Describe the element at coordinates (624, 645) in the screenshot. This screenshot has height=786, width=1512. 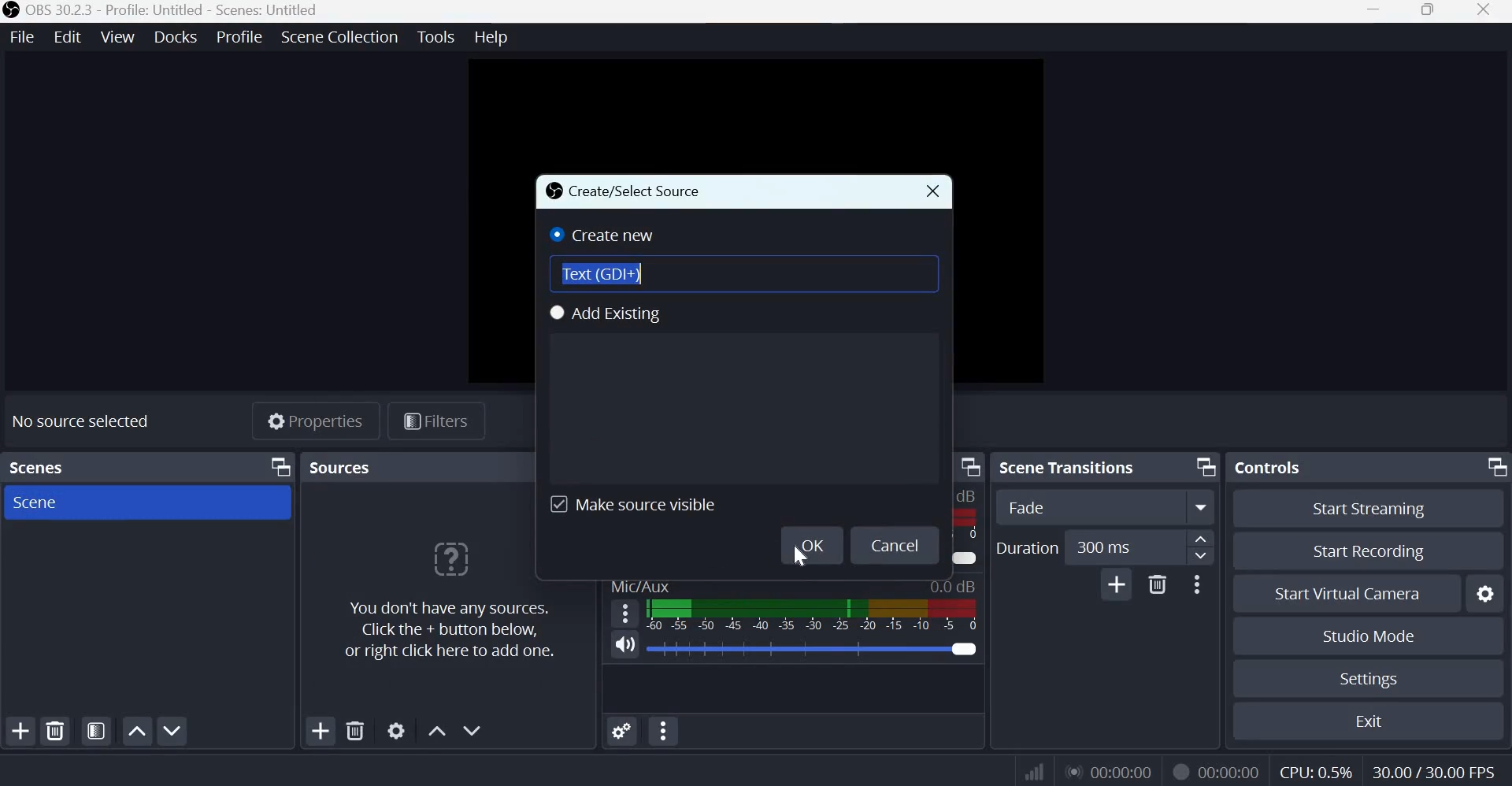
I see `Speaker icon` at that location.